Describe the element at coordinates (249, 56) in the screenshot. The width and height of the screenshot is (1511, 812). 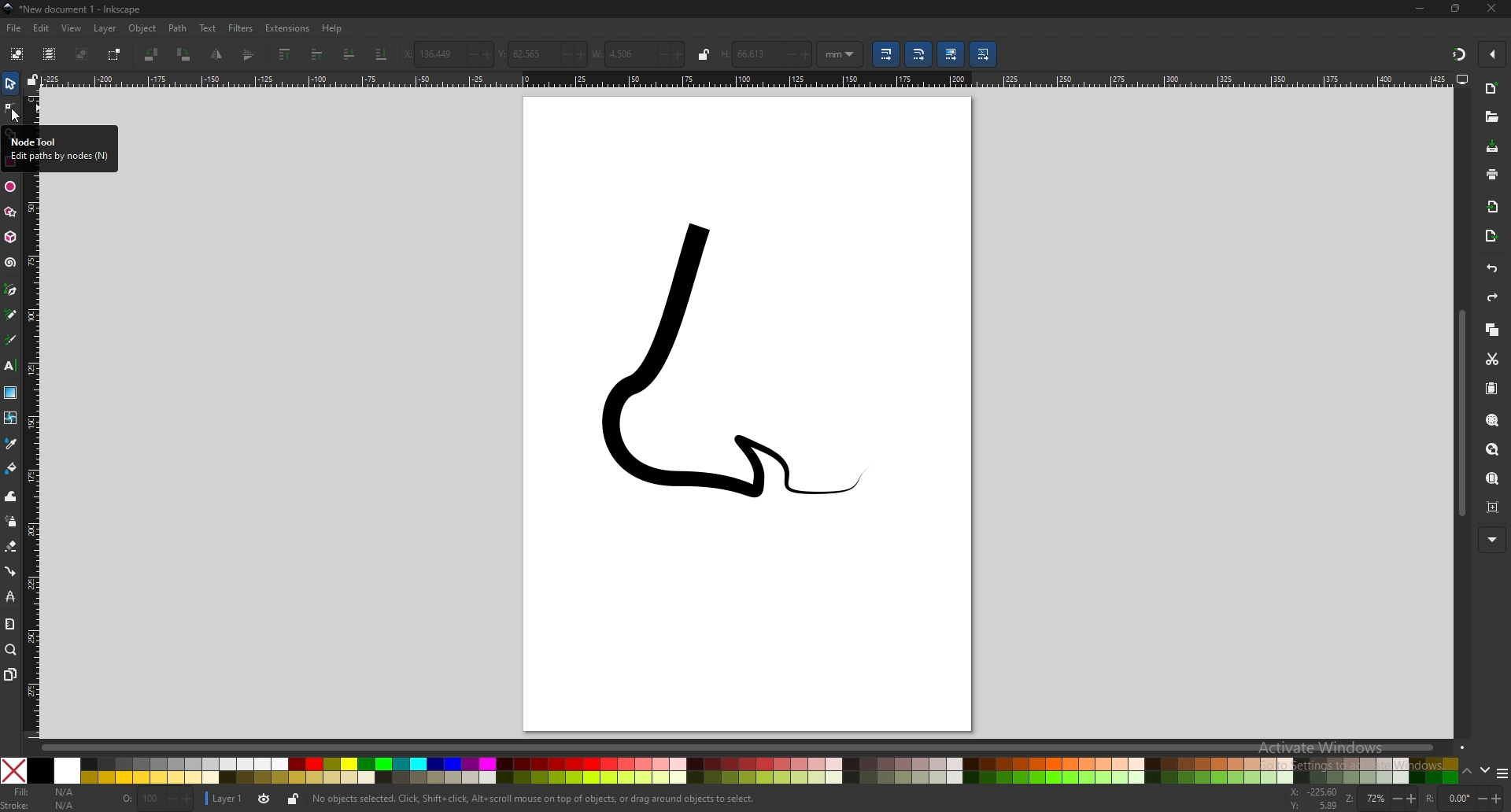
I see `flip horizontally` at that location.